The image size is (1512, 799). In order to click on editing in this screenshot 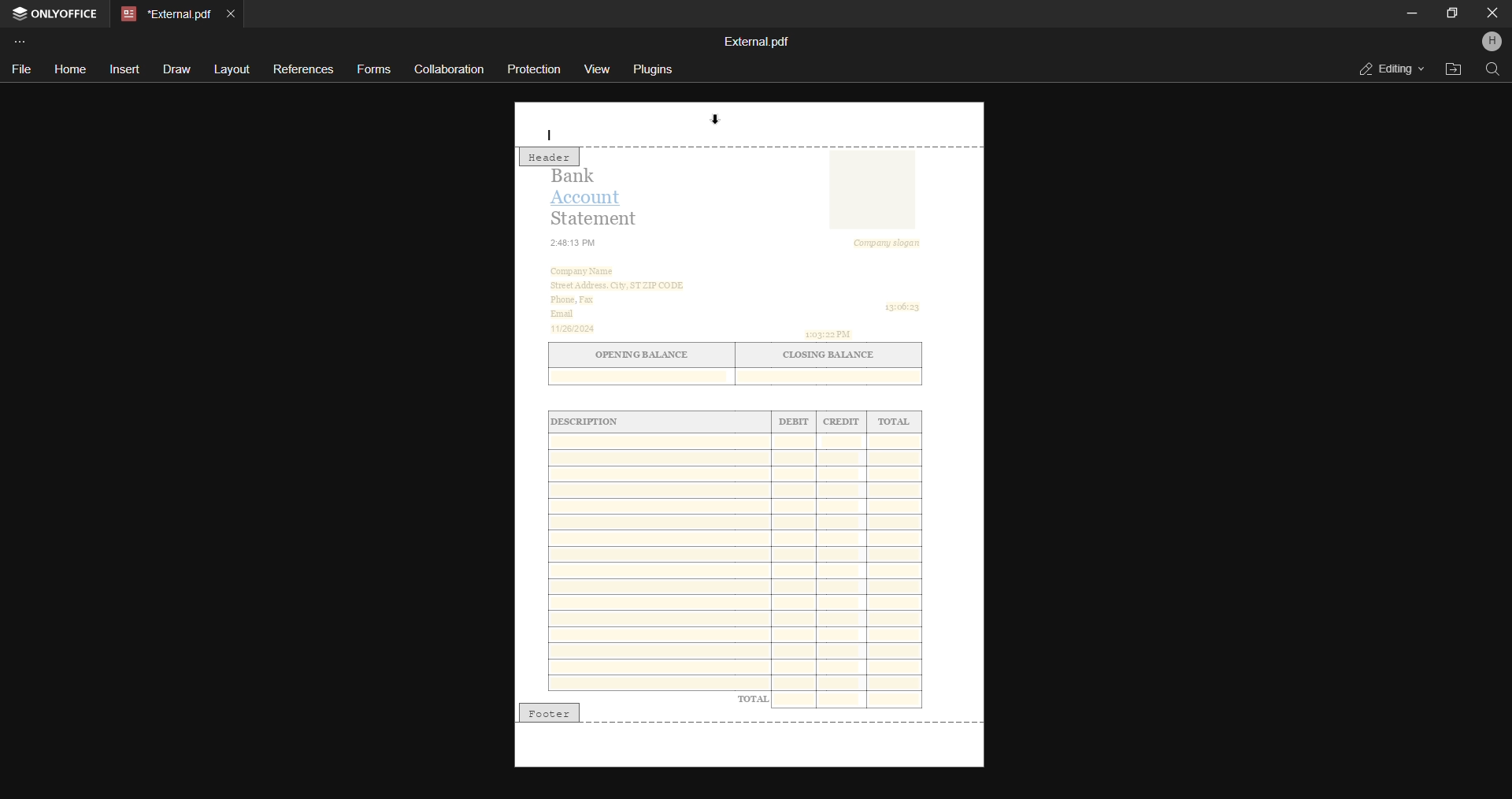, I will do `click(1386, 69)`.